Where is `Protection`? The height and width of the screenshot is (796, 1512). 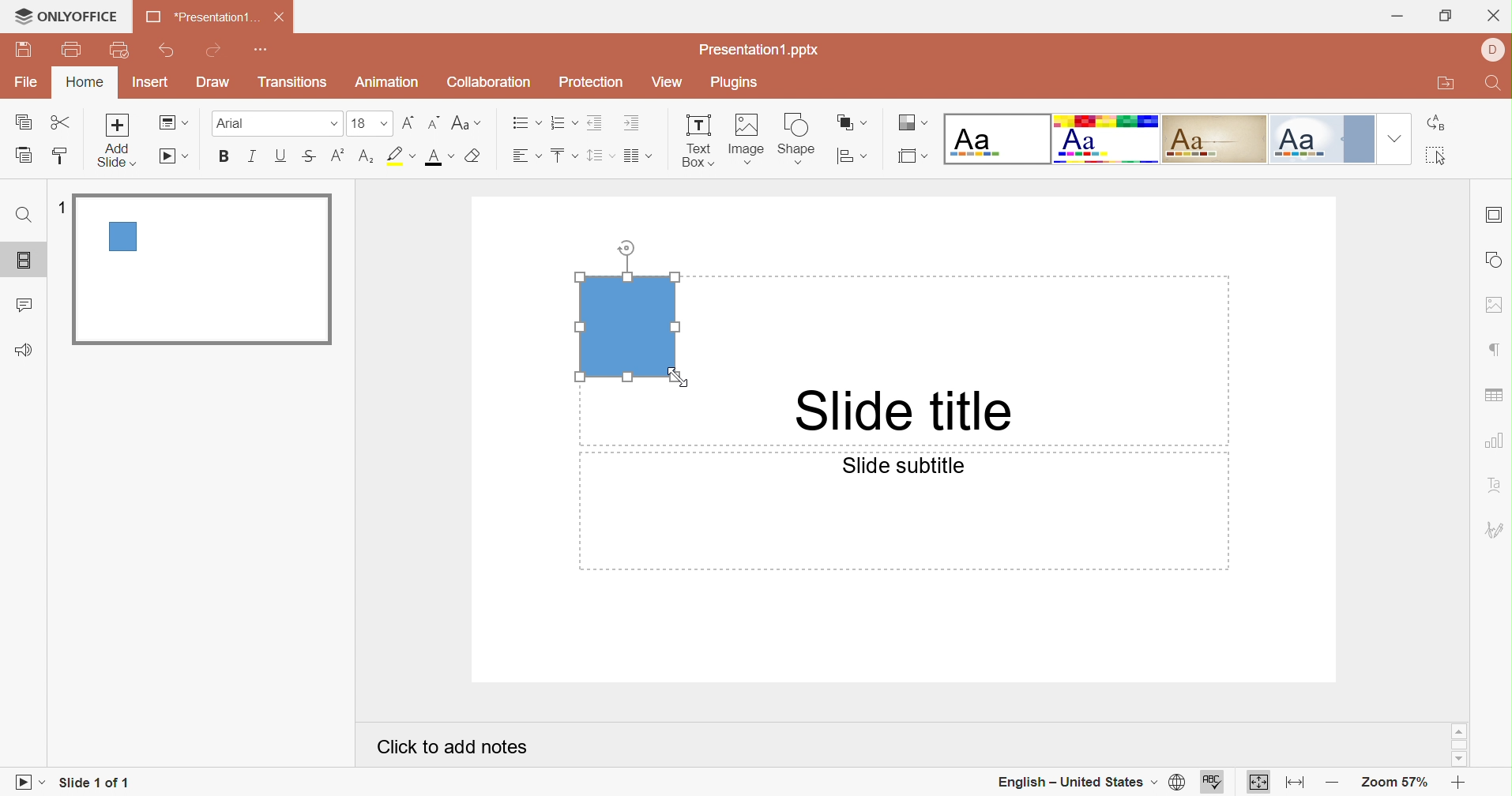 Protection is located at coordinates (592, 82).